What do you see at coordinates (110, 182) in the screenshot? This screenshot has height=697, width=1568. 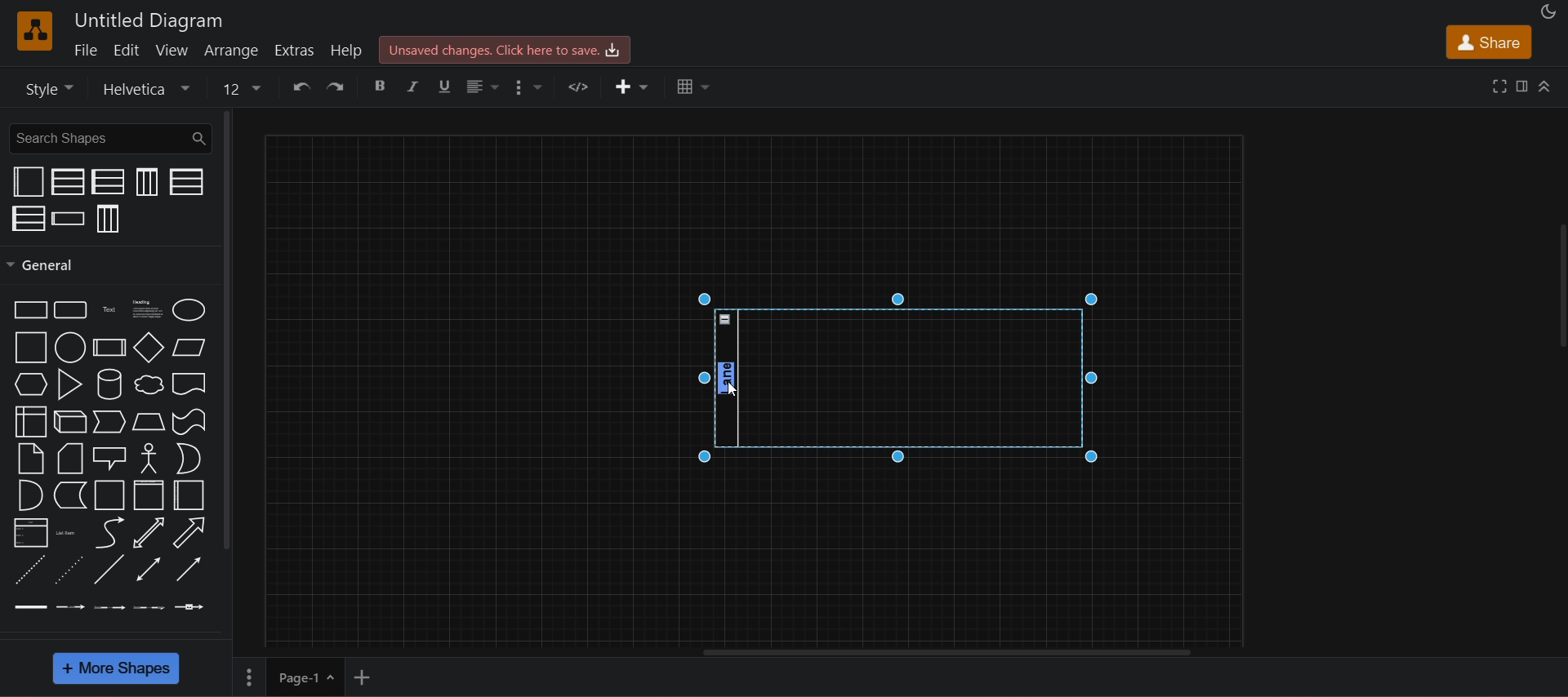 I see `horizontal pool 2` at bounding box center [110, 182].